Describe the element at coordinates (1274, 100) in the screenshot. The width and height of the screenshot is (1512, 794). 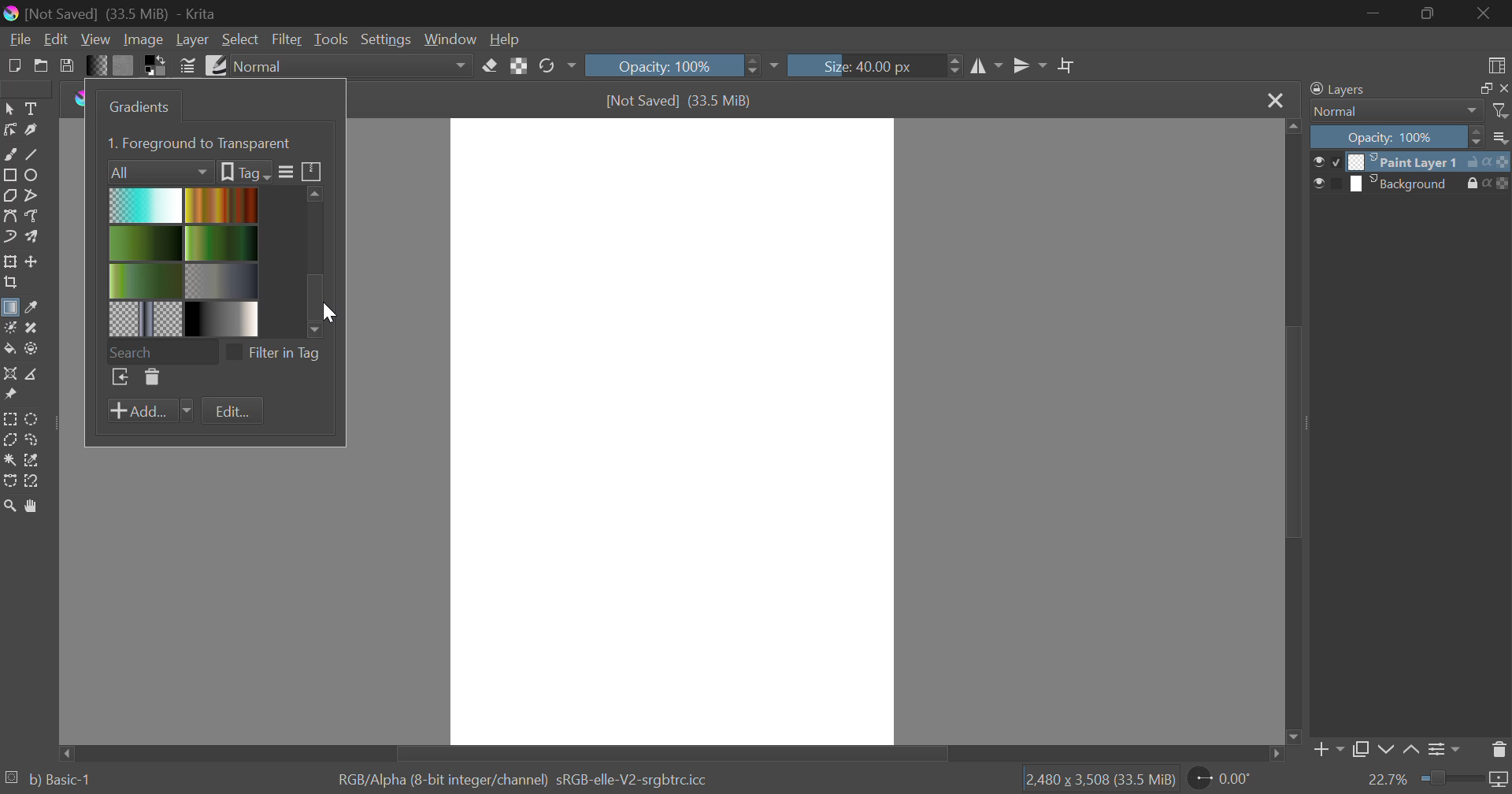
I see `Close` at that location.